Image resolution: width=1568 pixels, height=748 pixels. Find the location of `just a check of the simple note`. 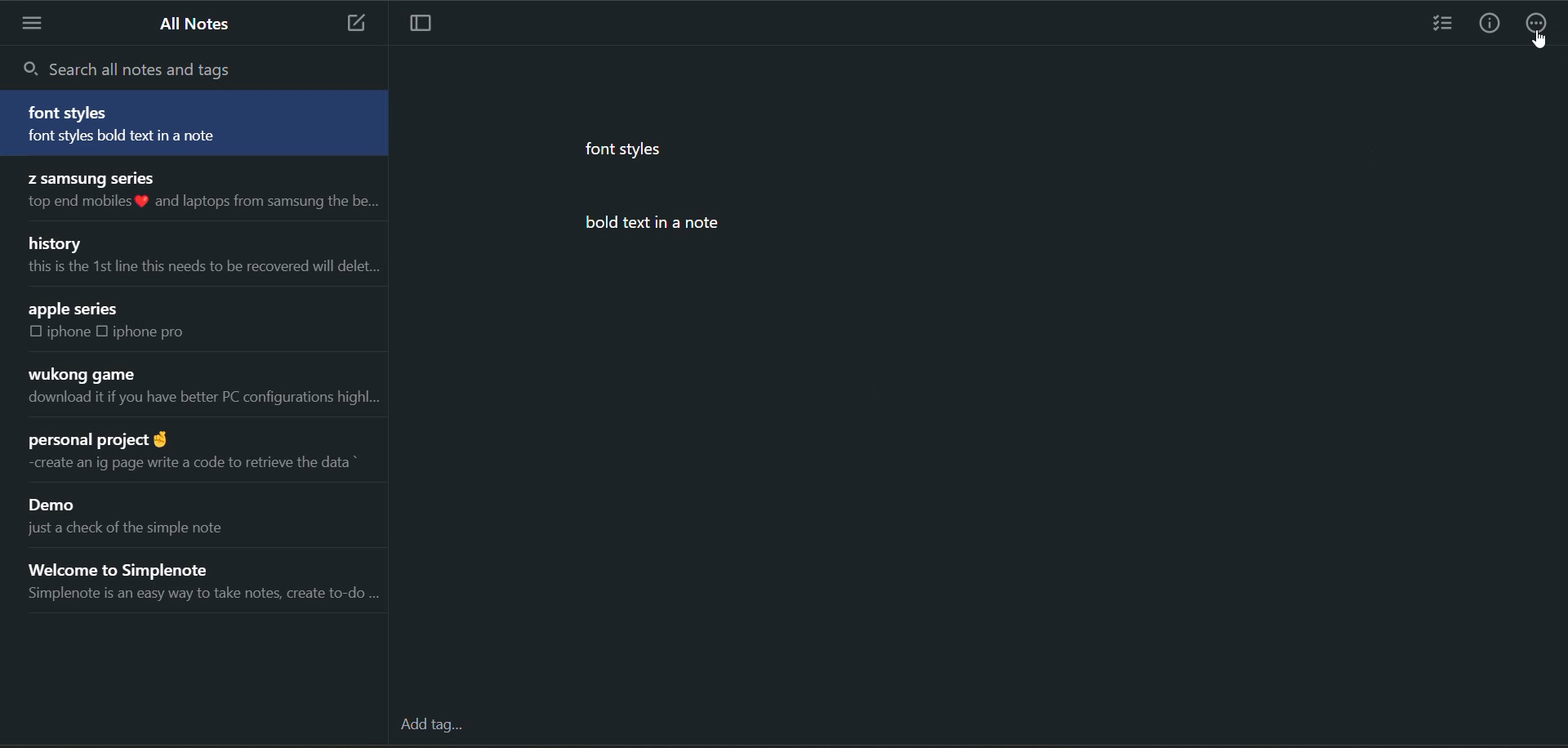

just a check of the simple note is located at coordinates (141, 532).